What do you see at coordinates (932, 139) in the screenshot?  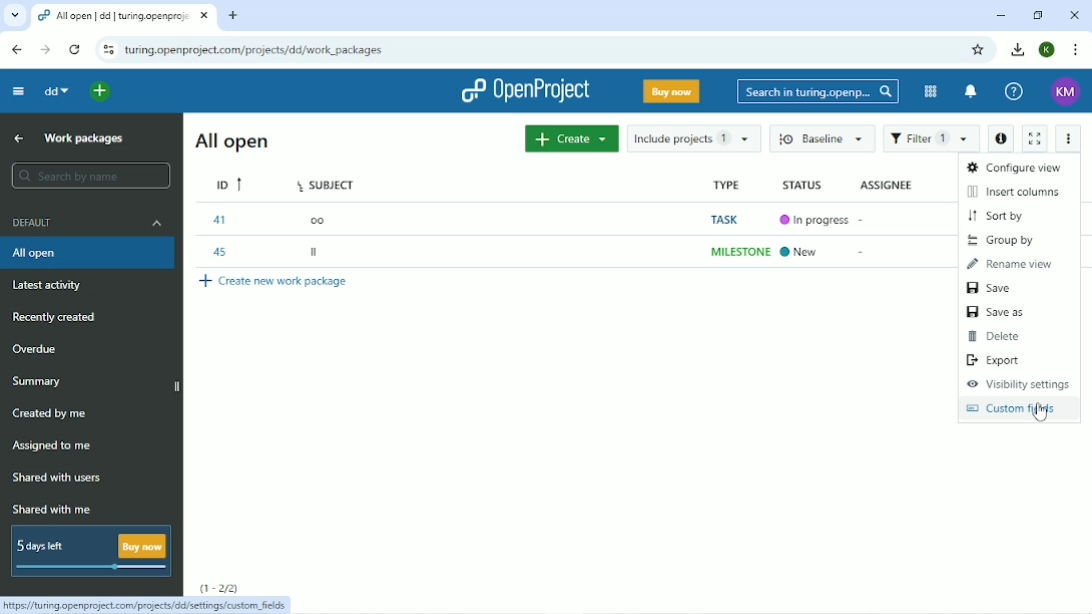 I see `Filter` at bounding box center [932, 139].